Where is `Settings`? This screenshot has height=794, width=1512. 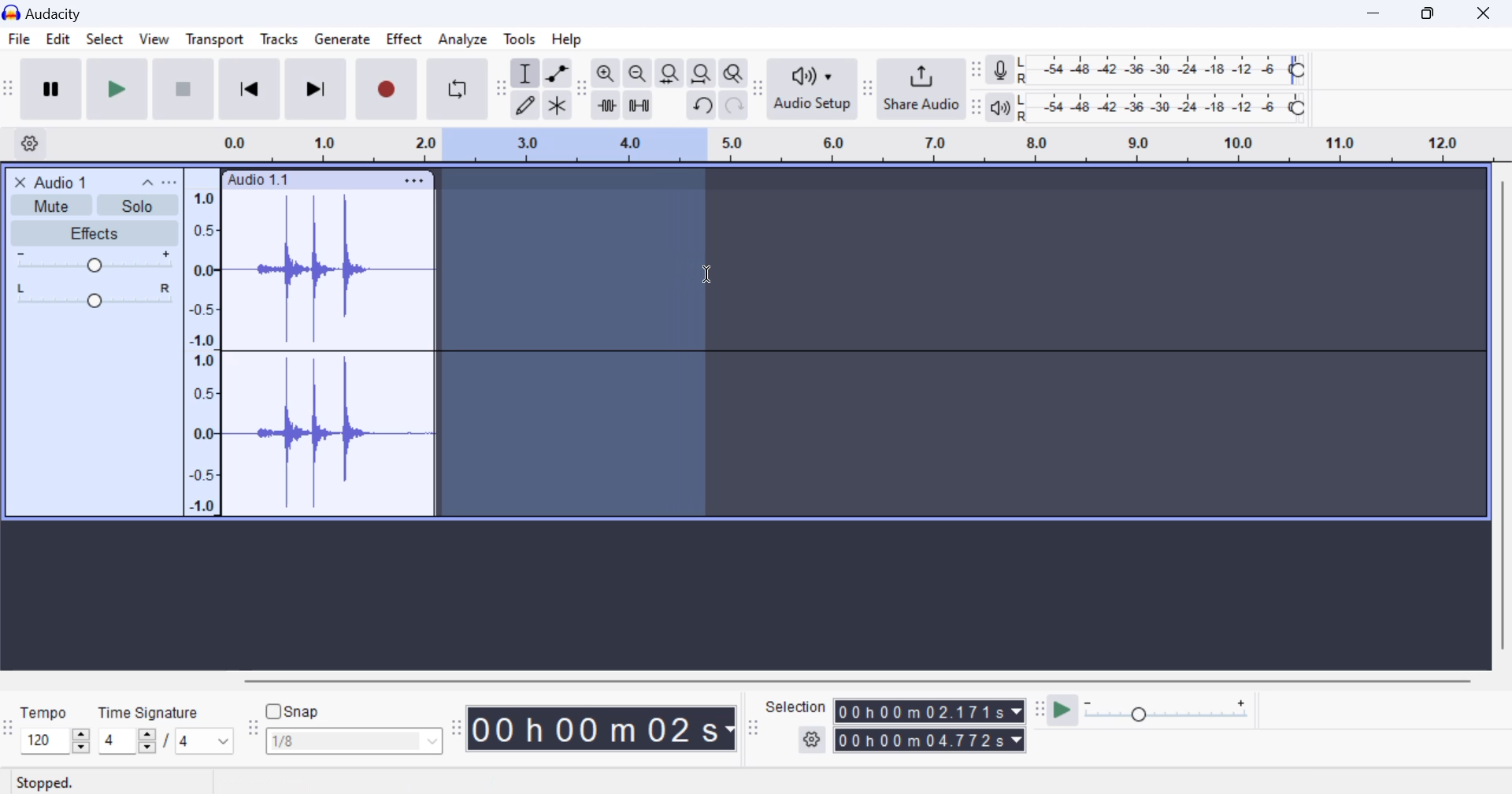
Settings is located at coordinates (32, 143).